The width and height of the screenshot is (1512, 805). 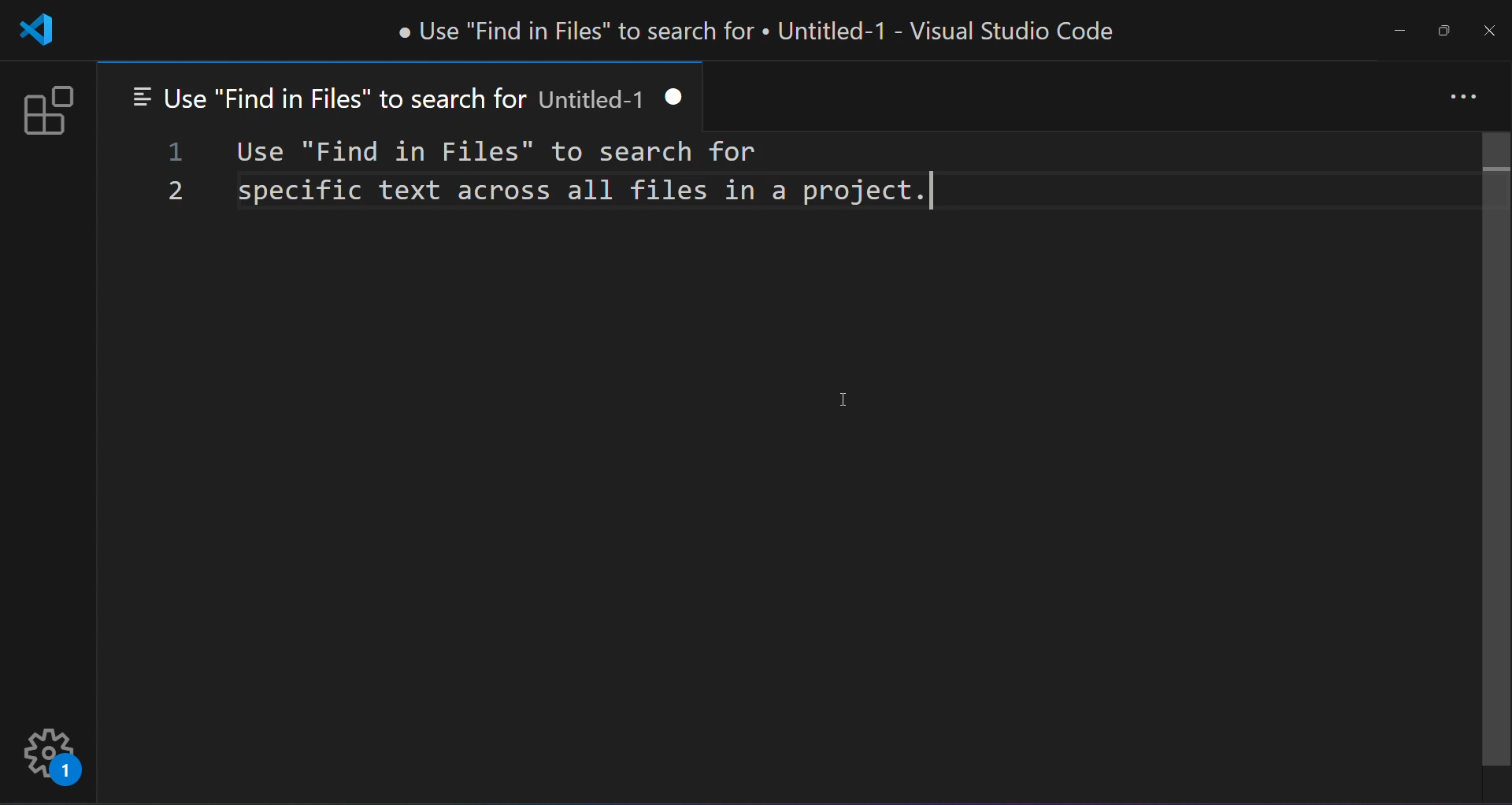 What do you see at coordinates (840, 396) in the screenshot?
I see `cursor` at bounding box center [840, 396].